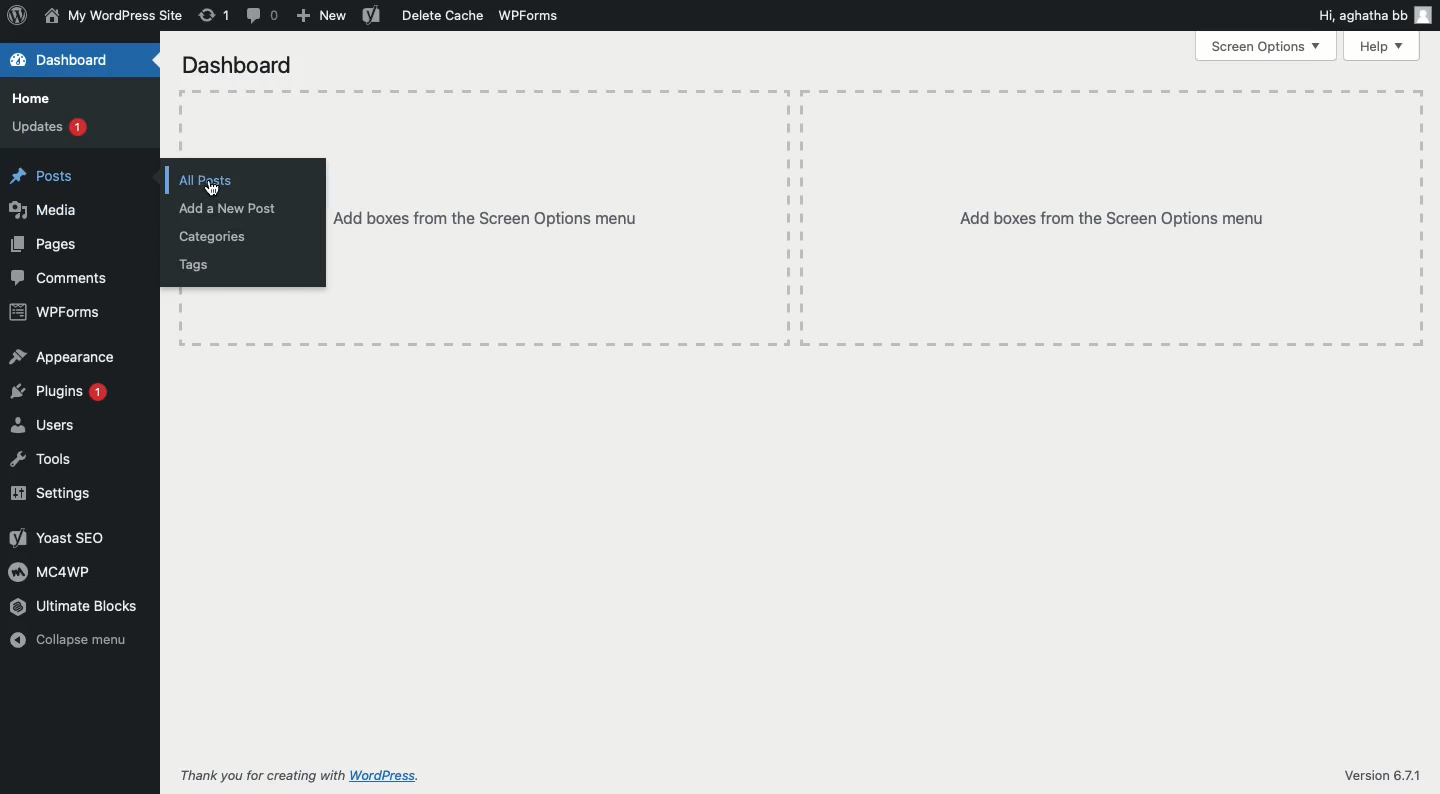  I want to click on Add a New Post, so click(240, 208).